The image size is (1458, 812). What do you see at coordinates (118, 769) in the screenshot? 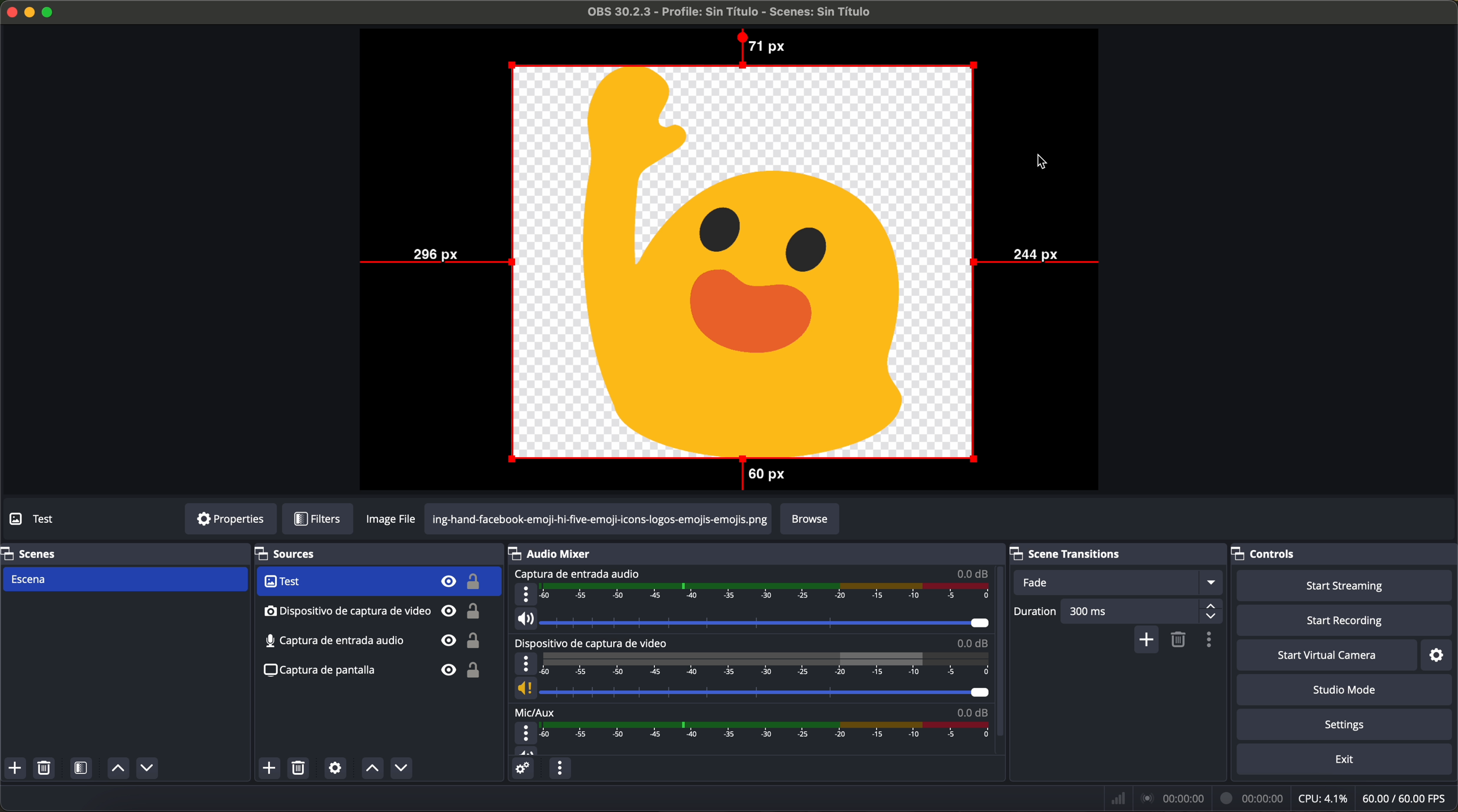
I see `move scene up` at bounding box center [118, 769].